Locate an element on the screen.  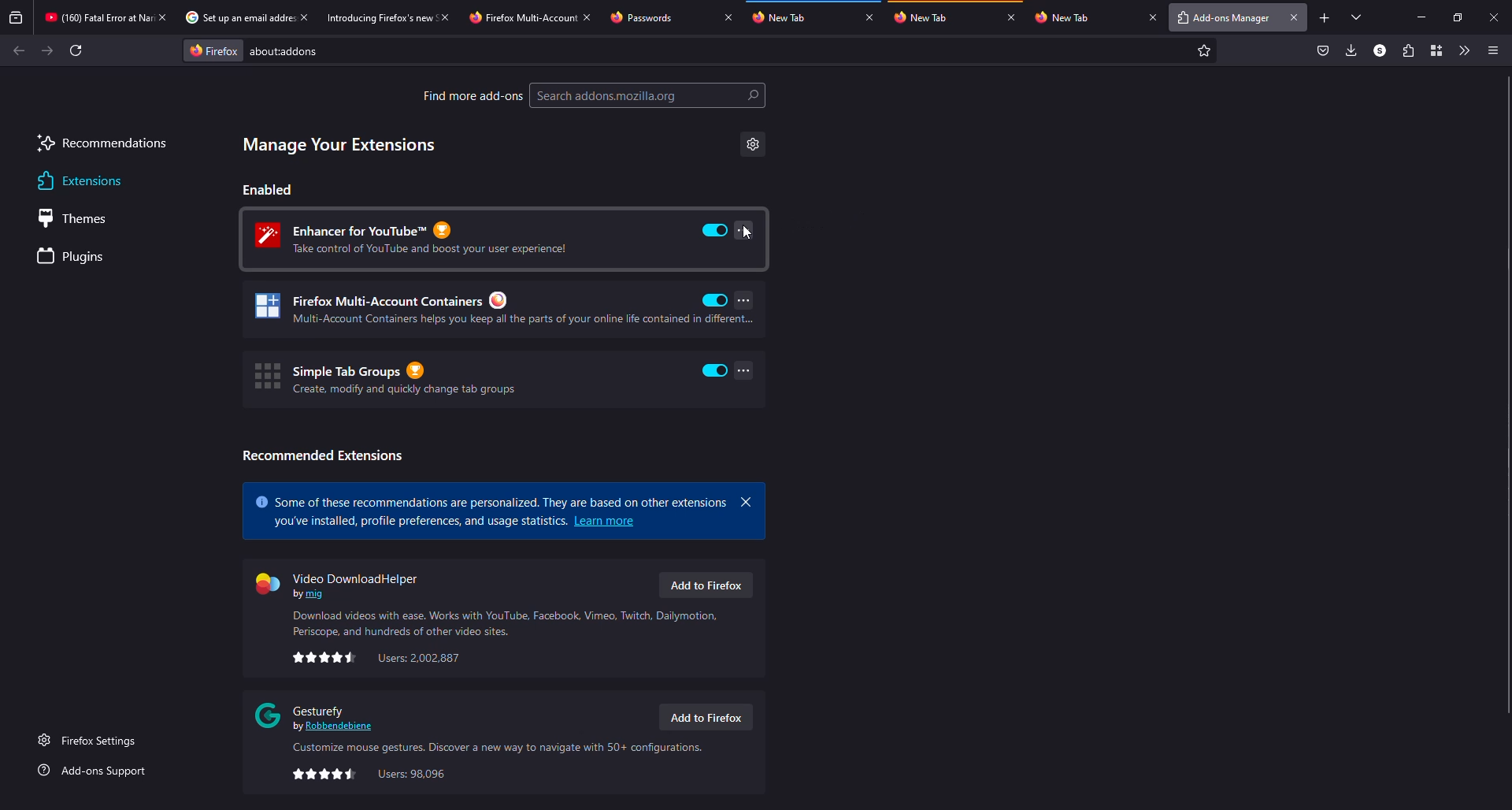
learn more is located at coordinates (491, 498).